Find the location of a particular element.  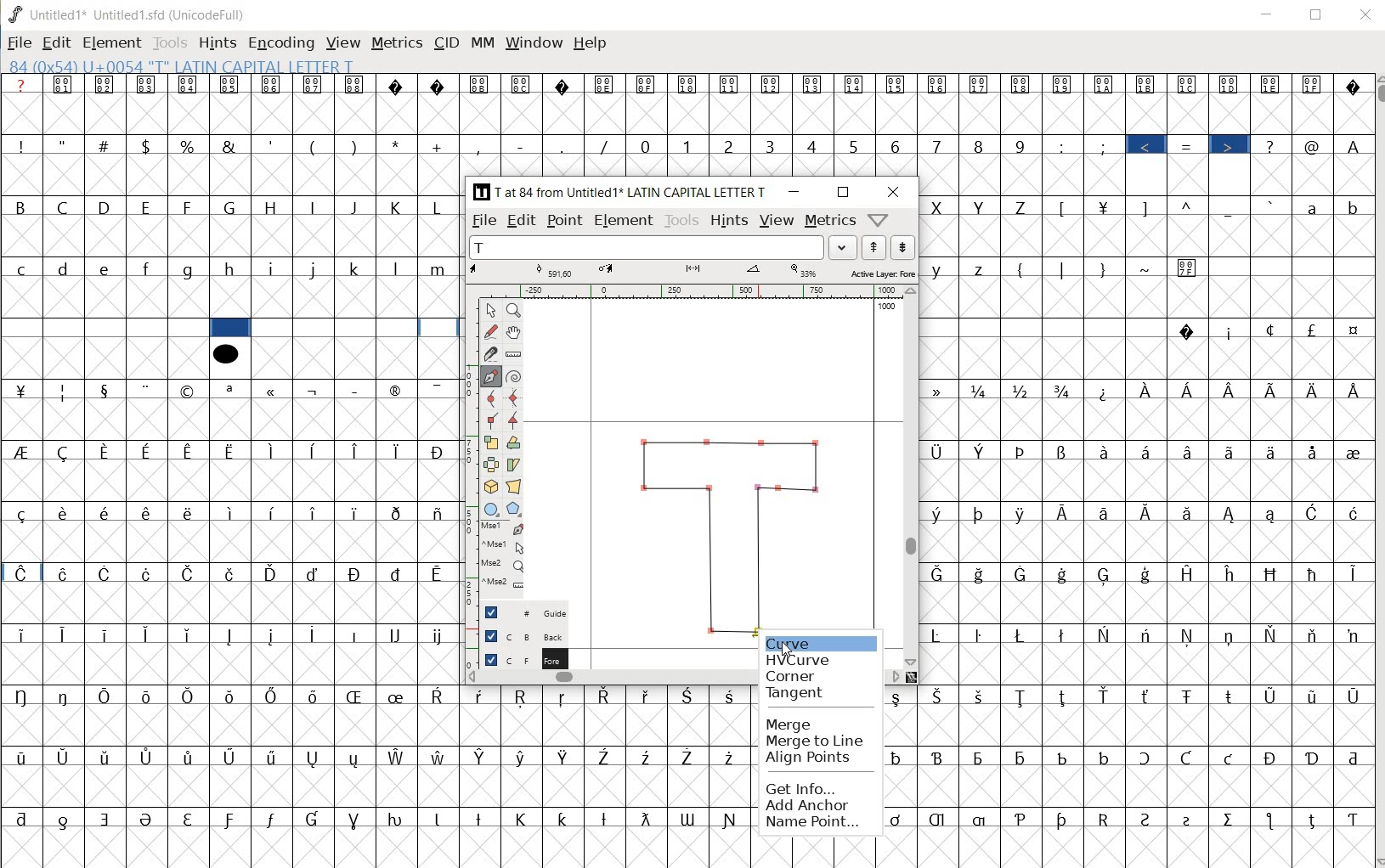

element is located at coordinates (624, 219).